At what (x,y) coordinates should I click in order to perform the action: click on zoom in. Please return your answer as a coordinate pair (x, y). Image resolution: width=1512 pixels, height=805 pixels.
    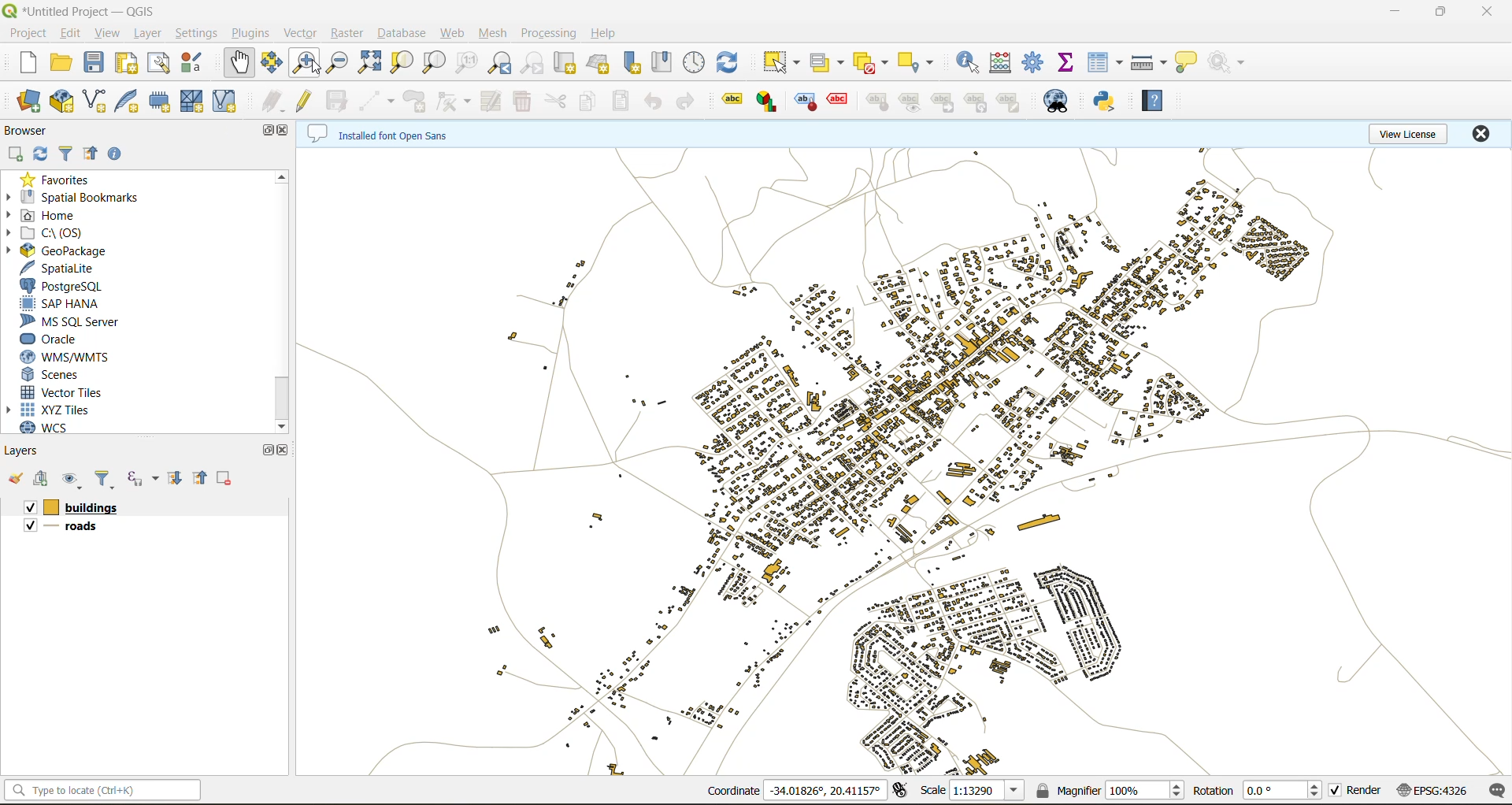
    Looking at the image, I should click on (306, 62).